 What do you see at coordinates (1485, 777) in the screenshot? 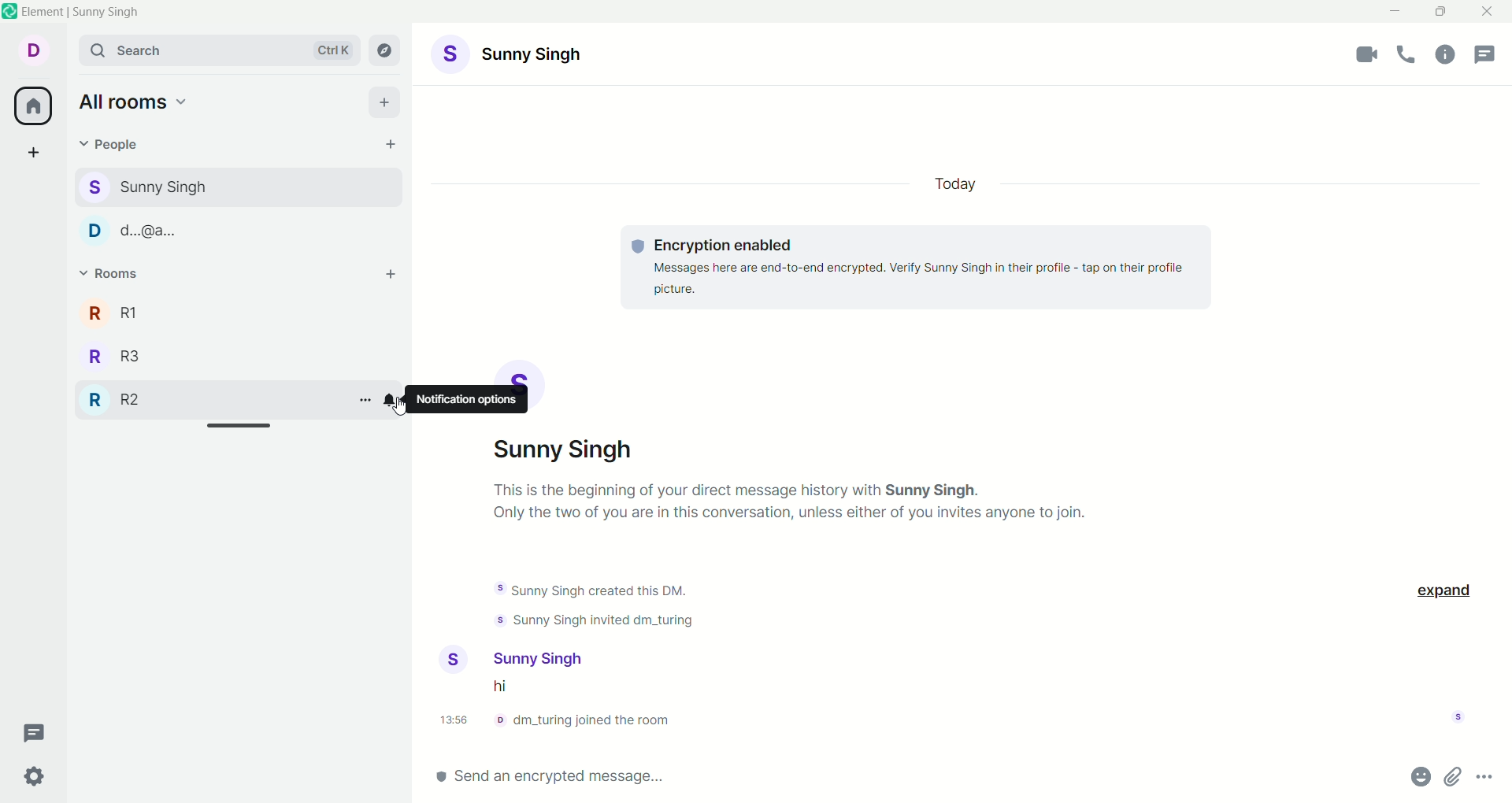
I see `options` at bounding box center [1485, 777].